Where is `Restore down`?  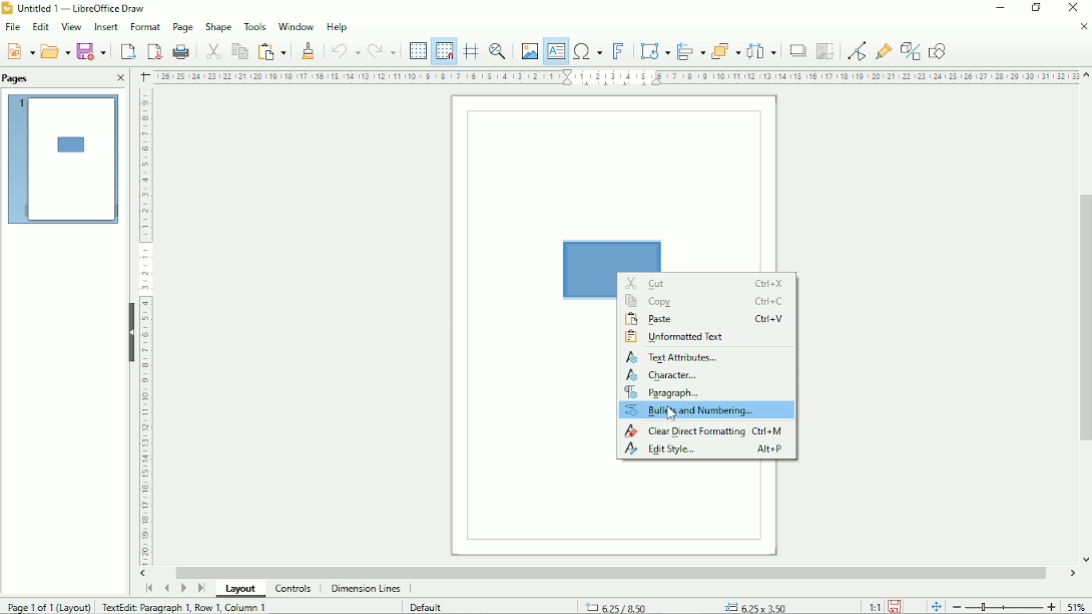
Restore down is located at coordinates (1037, 8).